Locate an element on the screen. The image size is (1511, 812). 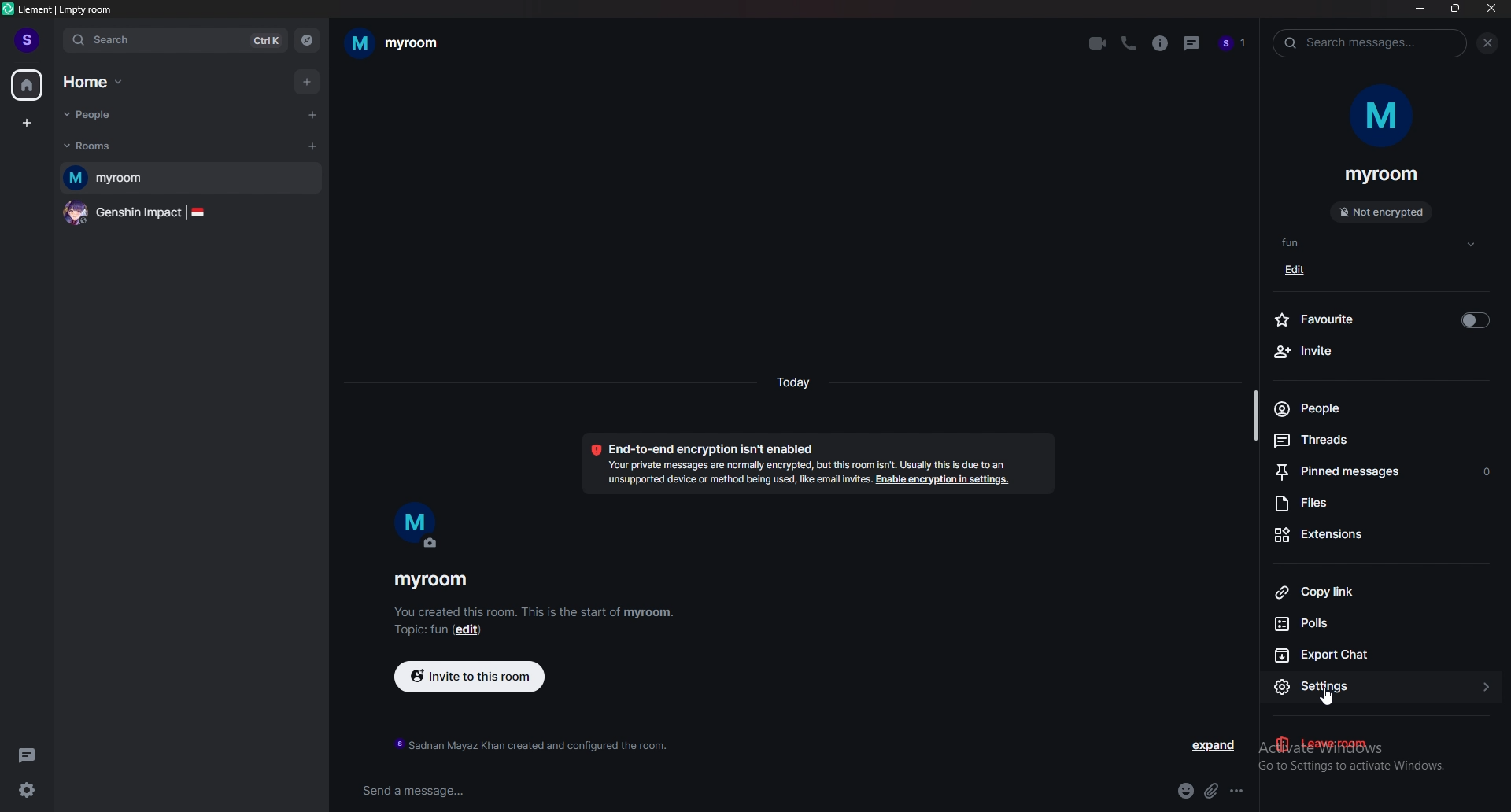
polls is located at coordinates (1382, 622).